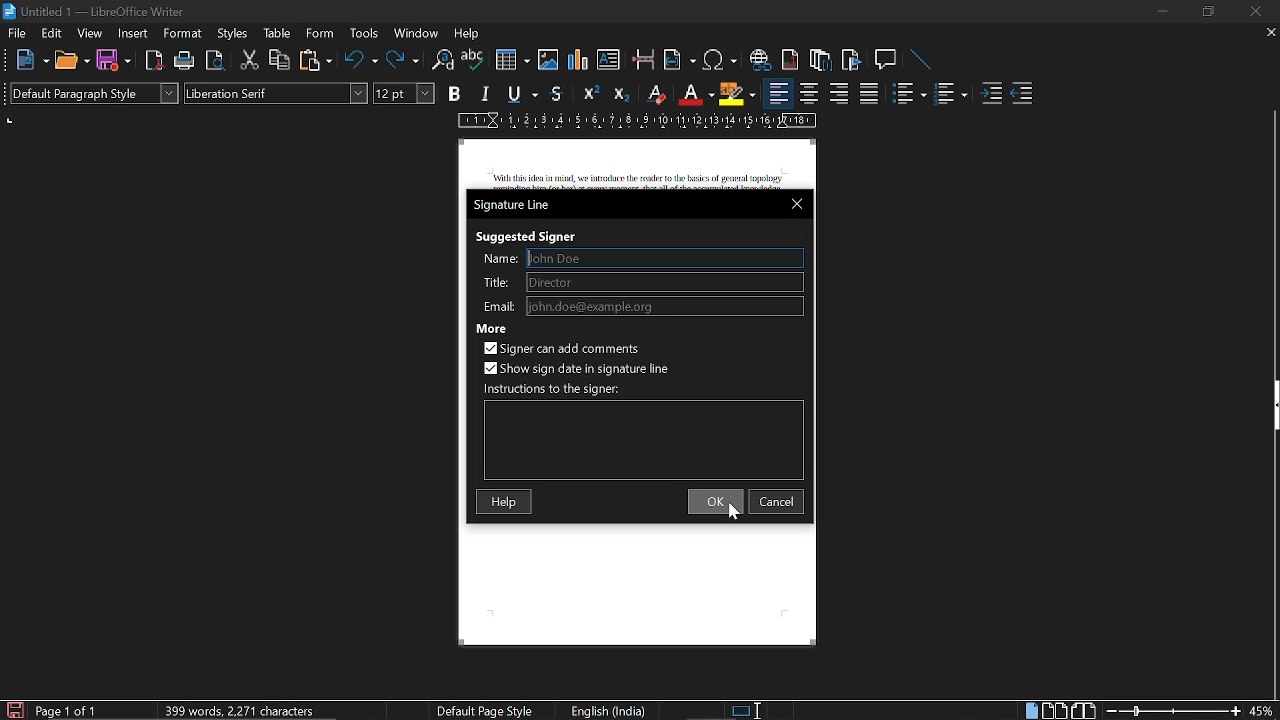 The width and height of the screenshot is (1280, 720). I want to click on change zoom, so click(1170, 711).